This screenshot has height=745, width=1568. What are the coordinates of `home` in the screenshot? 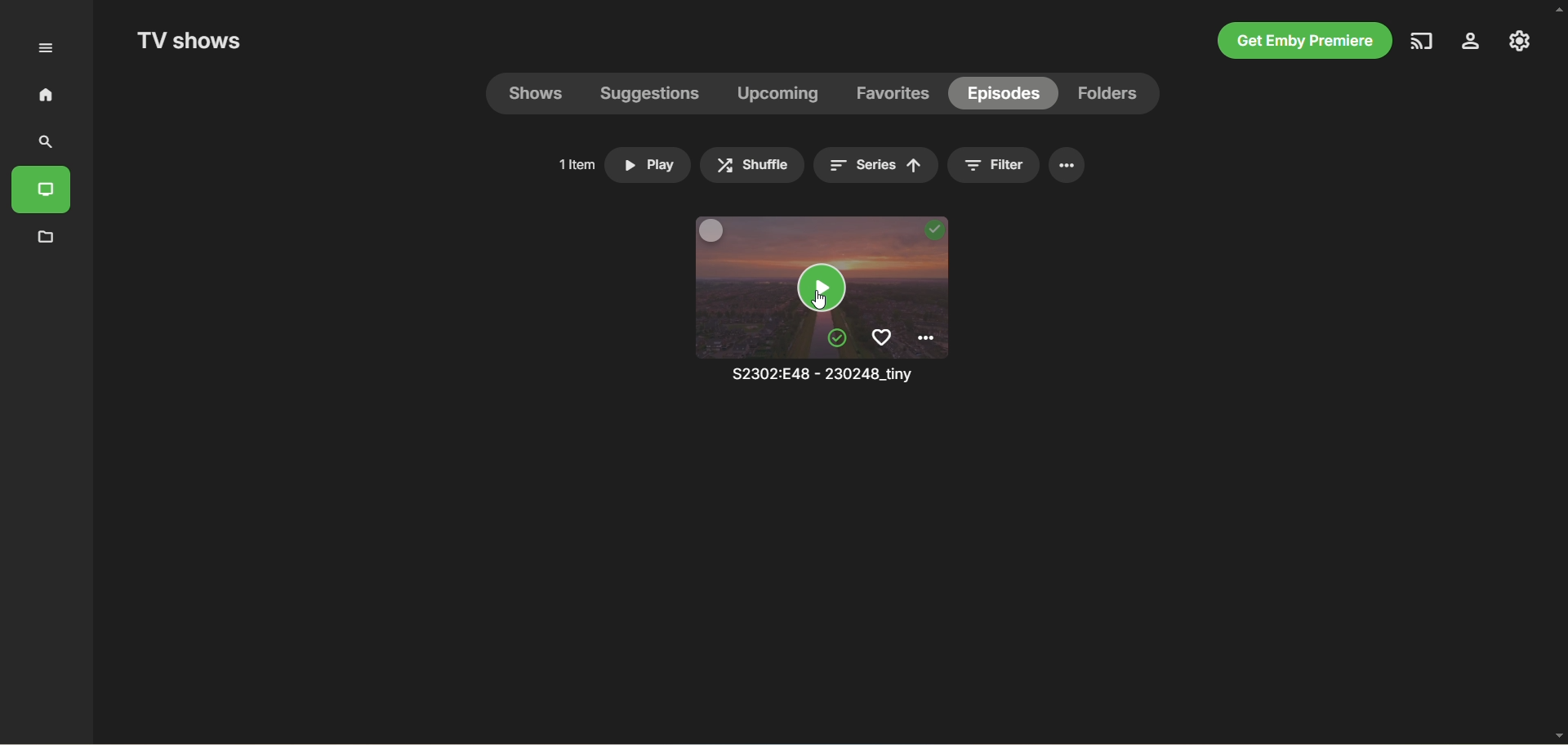 It's located at (46, 94).